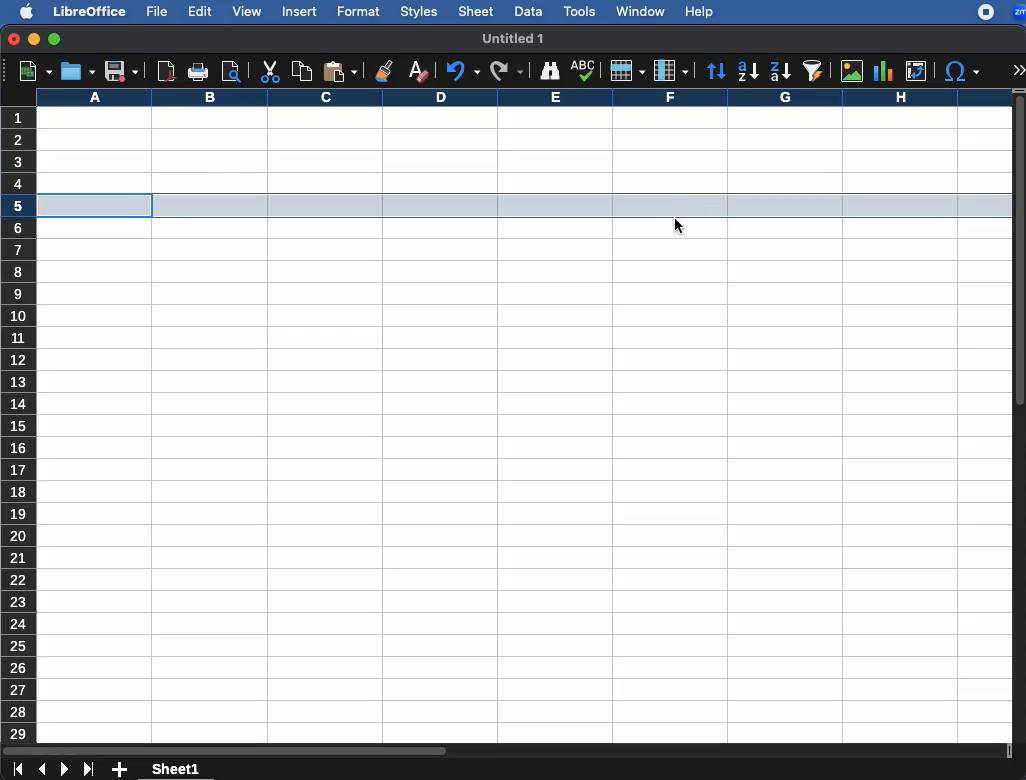  Describe the element at coordinates (33, 39) in the screenshot. I see `minimize` at that location.